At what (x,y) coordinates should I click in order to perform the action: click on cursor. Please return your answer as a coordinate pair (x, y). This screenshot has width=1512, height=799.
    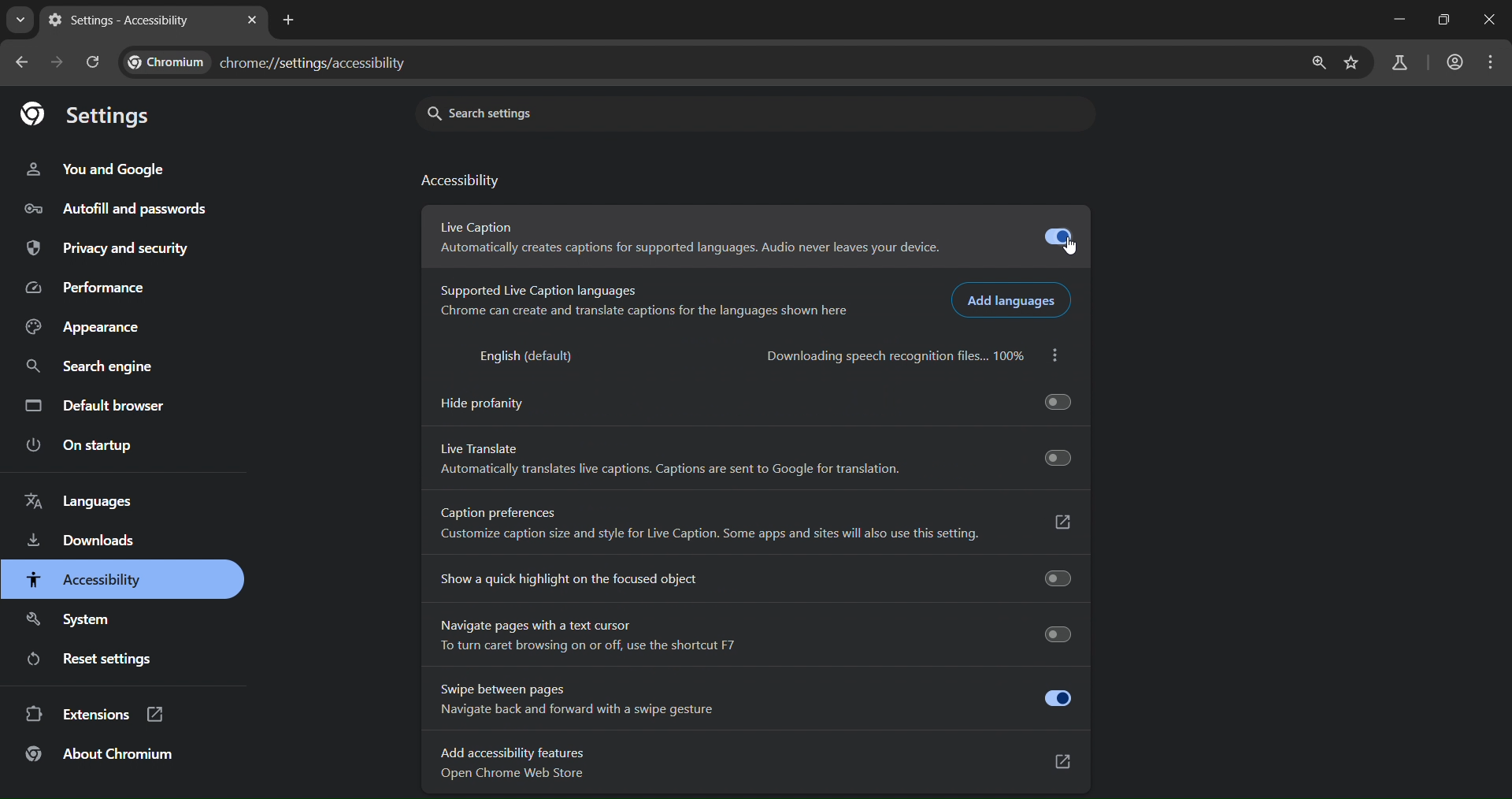
    Looking at the image, I should click on (1072, 247).